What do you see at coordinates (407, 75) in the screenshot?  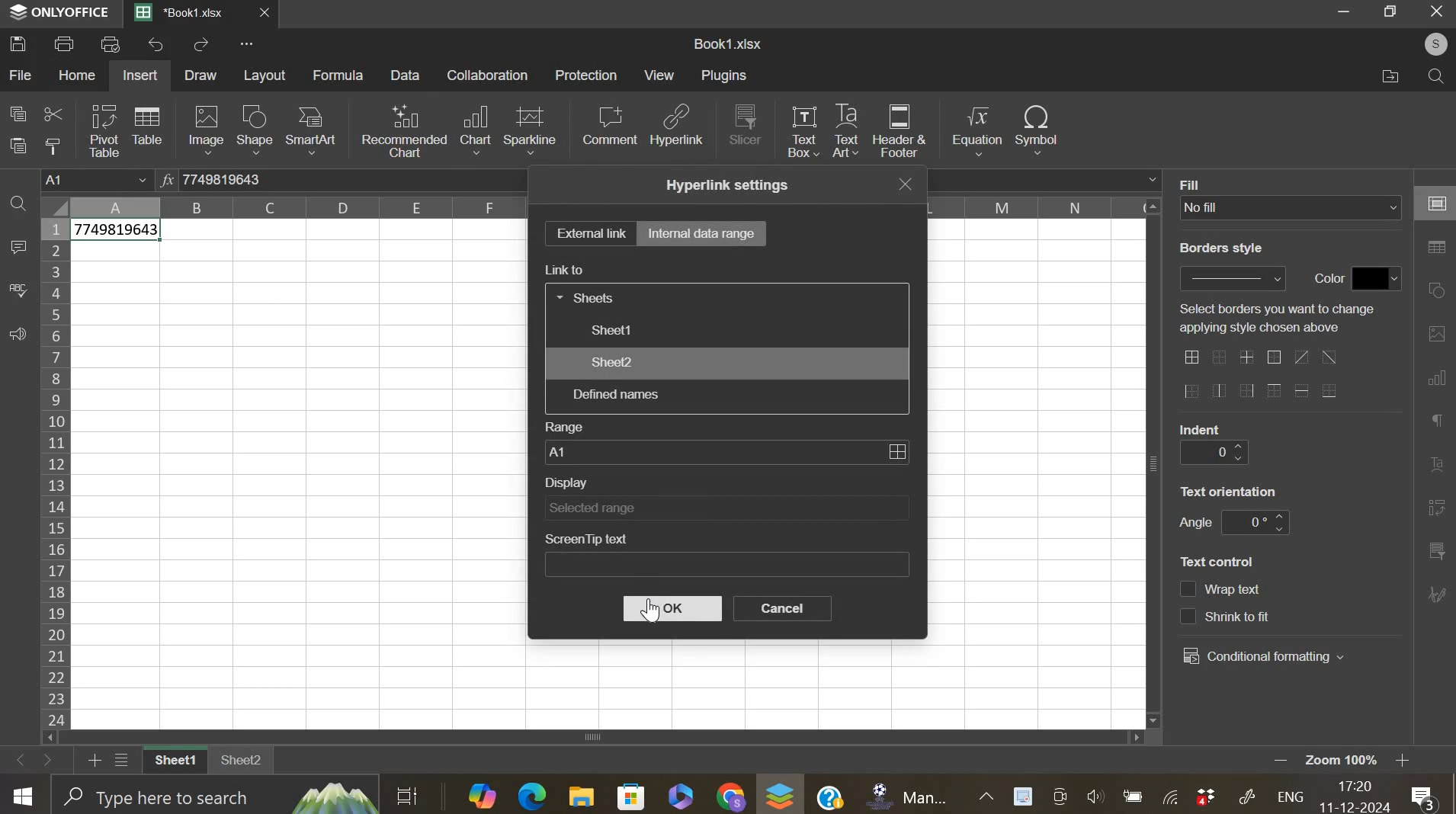 I see `data` at bounding box center [407, 75].